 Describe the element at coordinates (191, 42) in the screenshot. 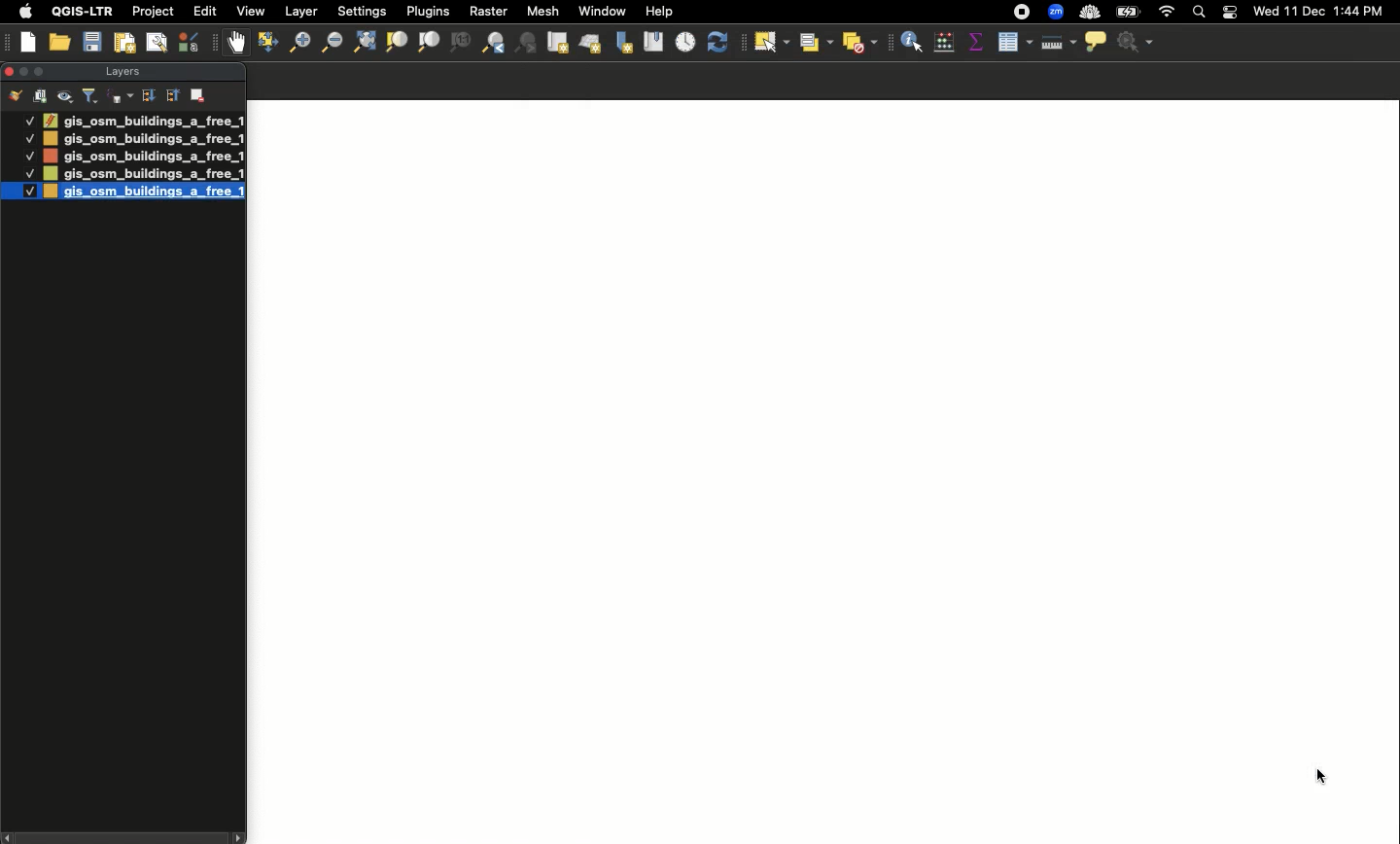

I see `Style manager` at that location.